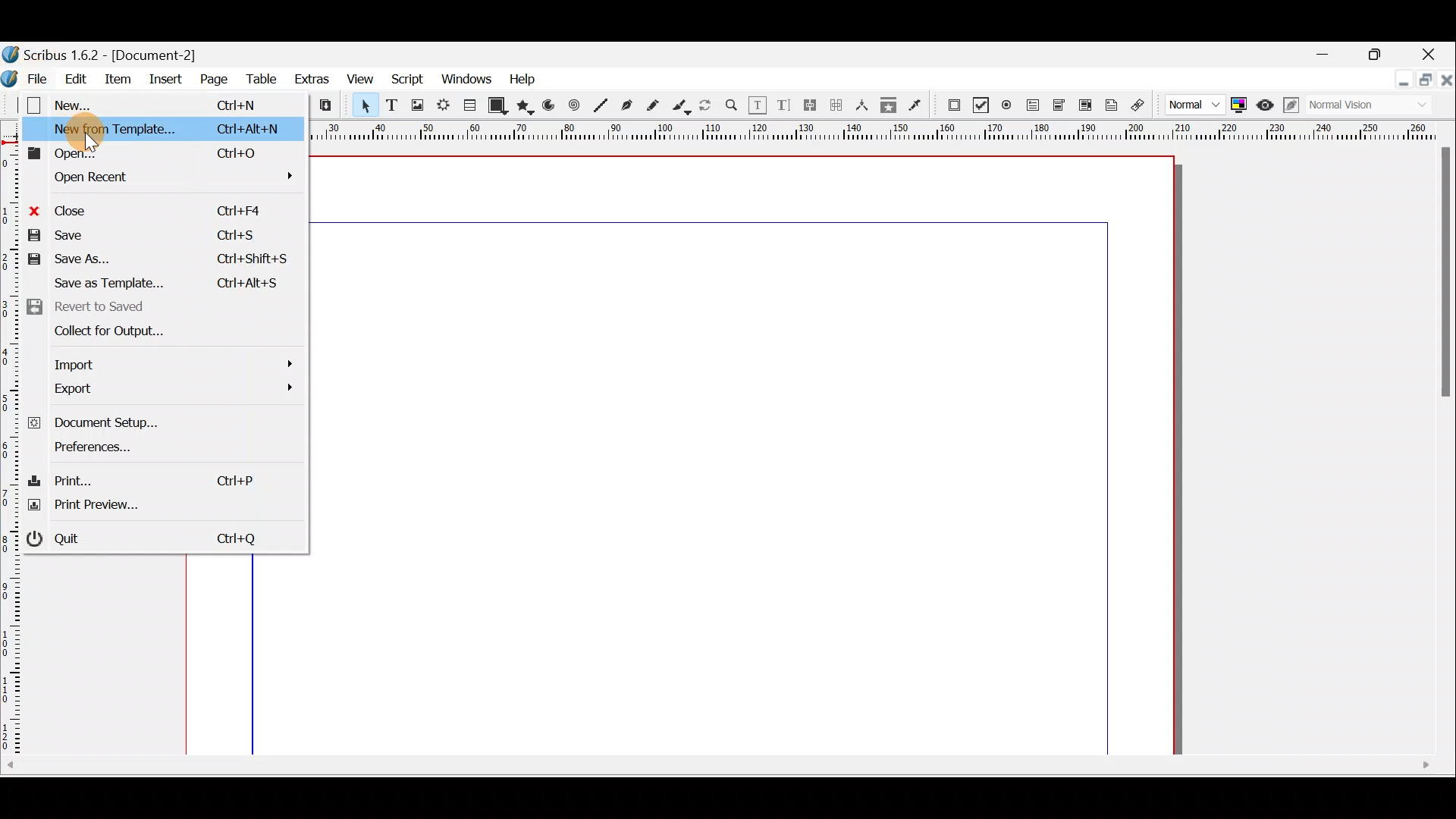 The height and width of the screenshot is (819, 1456). I want to click on Maximise, so click(1426, 81).